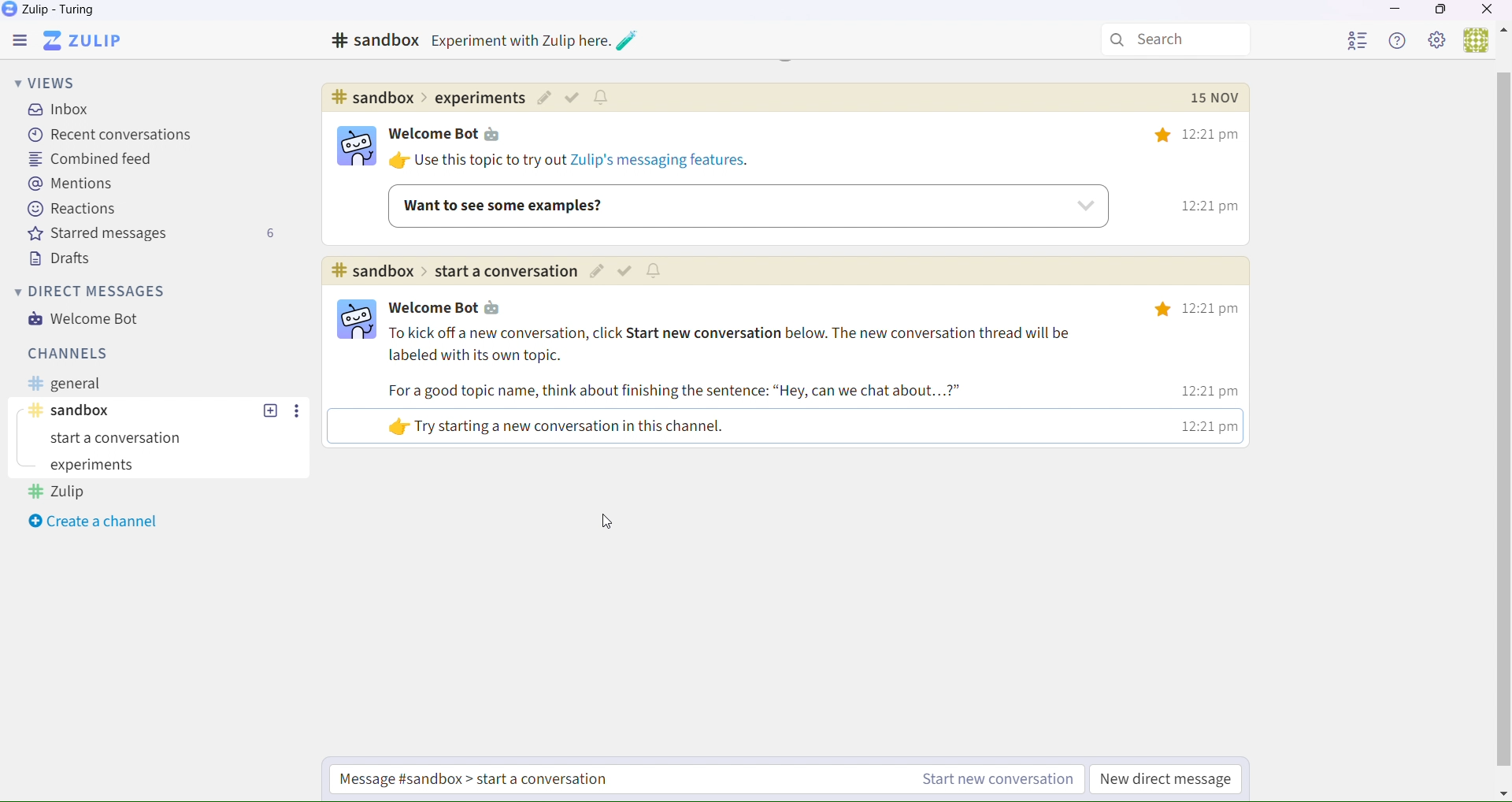 Image resolution: width=1512 pixels, height=802 pixels. Describe the element at coordinates (350, 323) in the screenshot. I see `logo` at that location.